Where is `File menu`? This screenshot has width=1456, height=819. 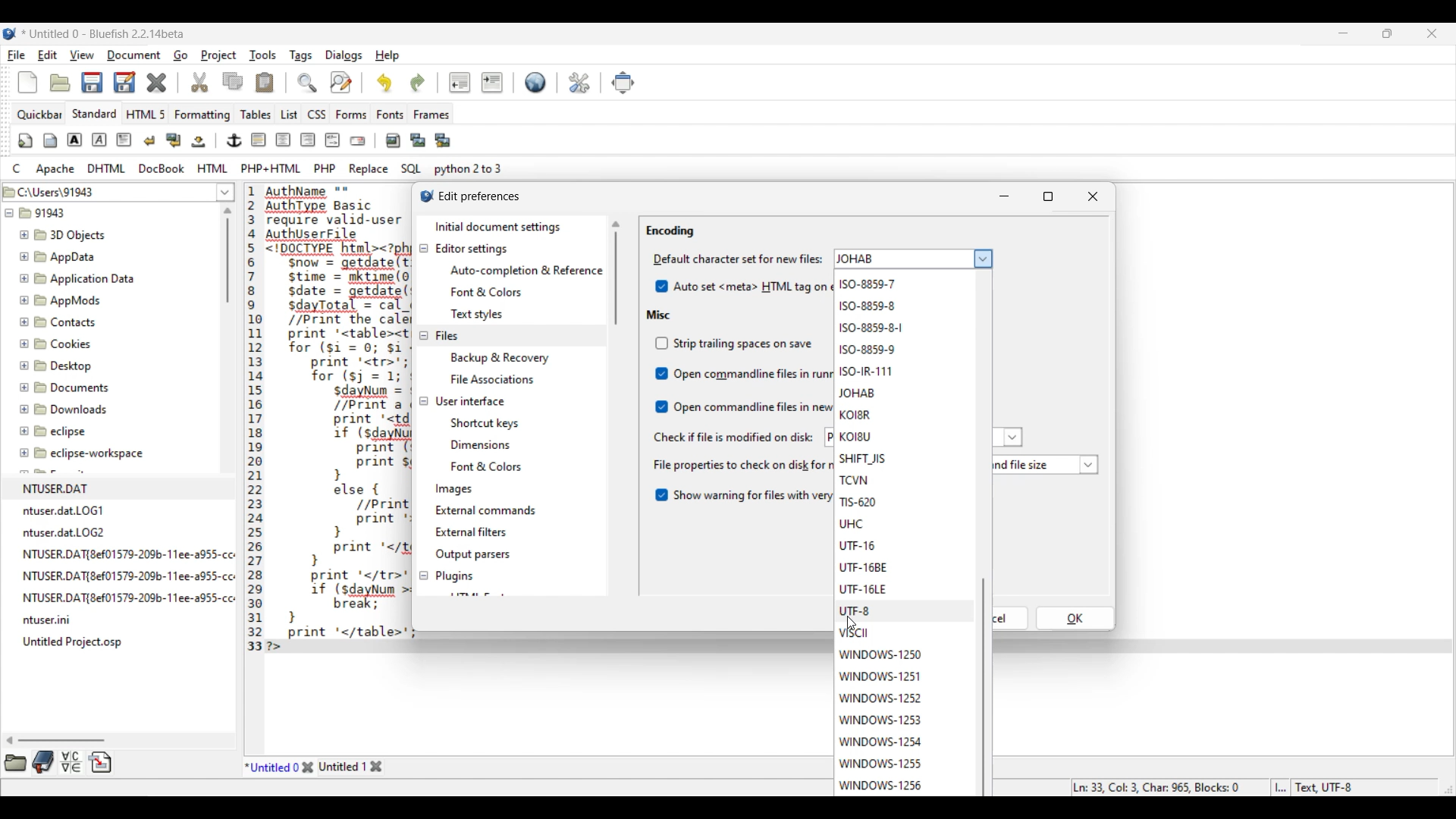 File menu is located at coordinates (17, 55).